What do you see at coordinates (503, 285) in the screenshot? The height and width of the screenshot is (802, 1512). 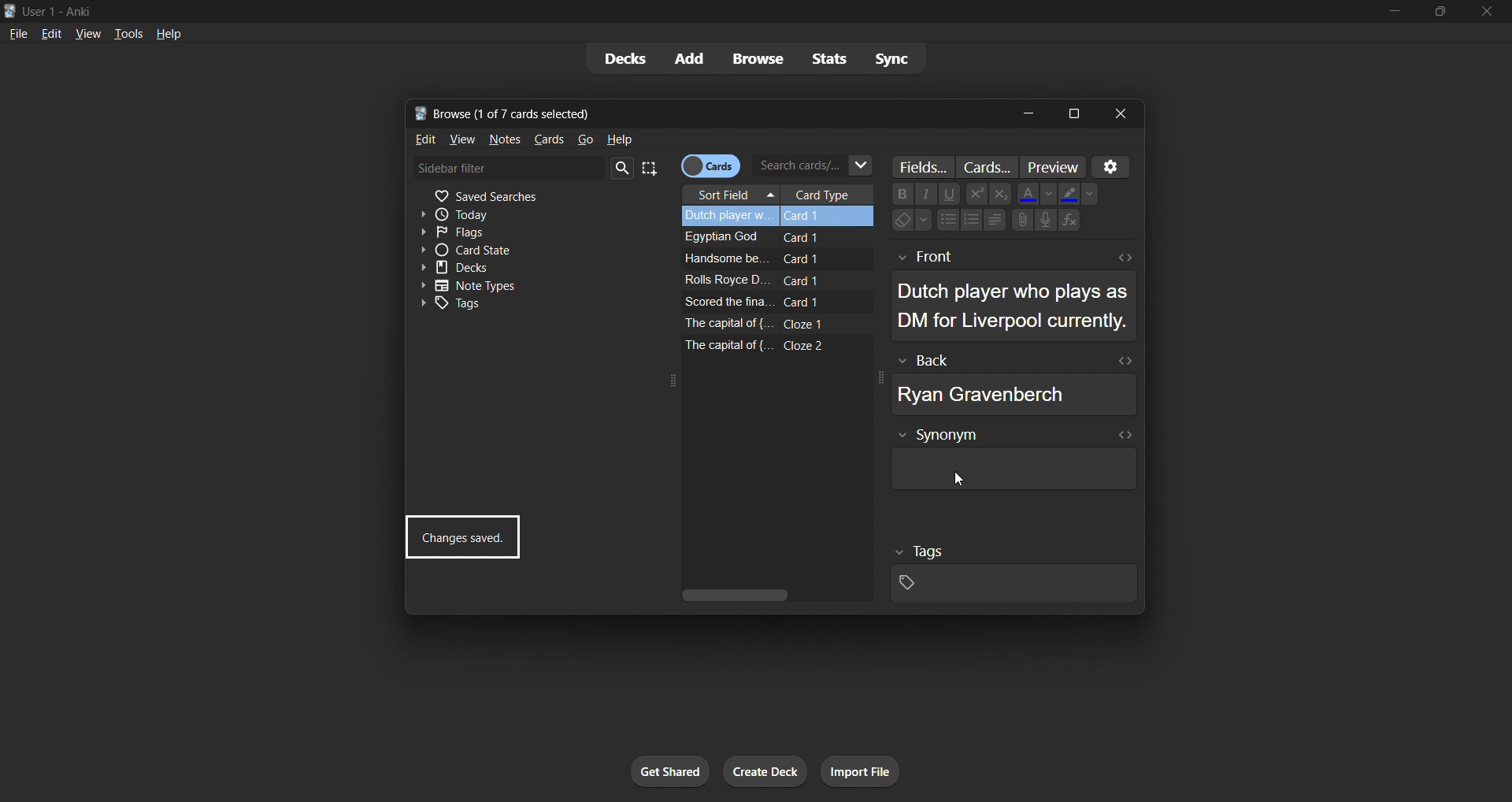 I see `note types toggle` at bounding box center [503, 285].